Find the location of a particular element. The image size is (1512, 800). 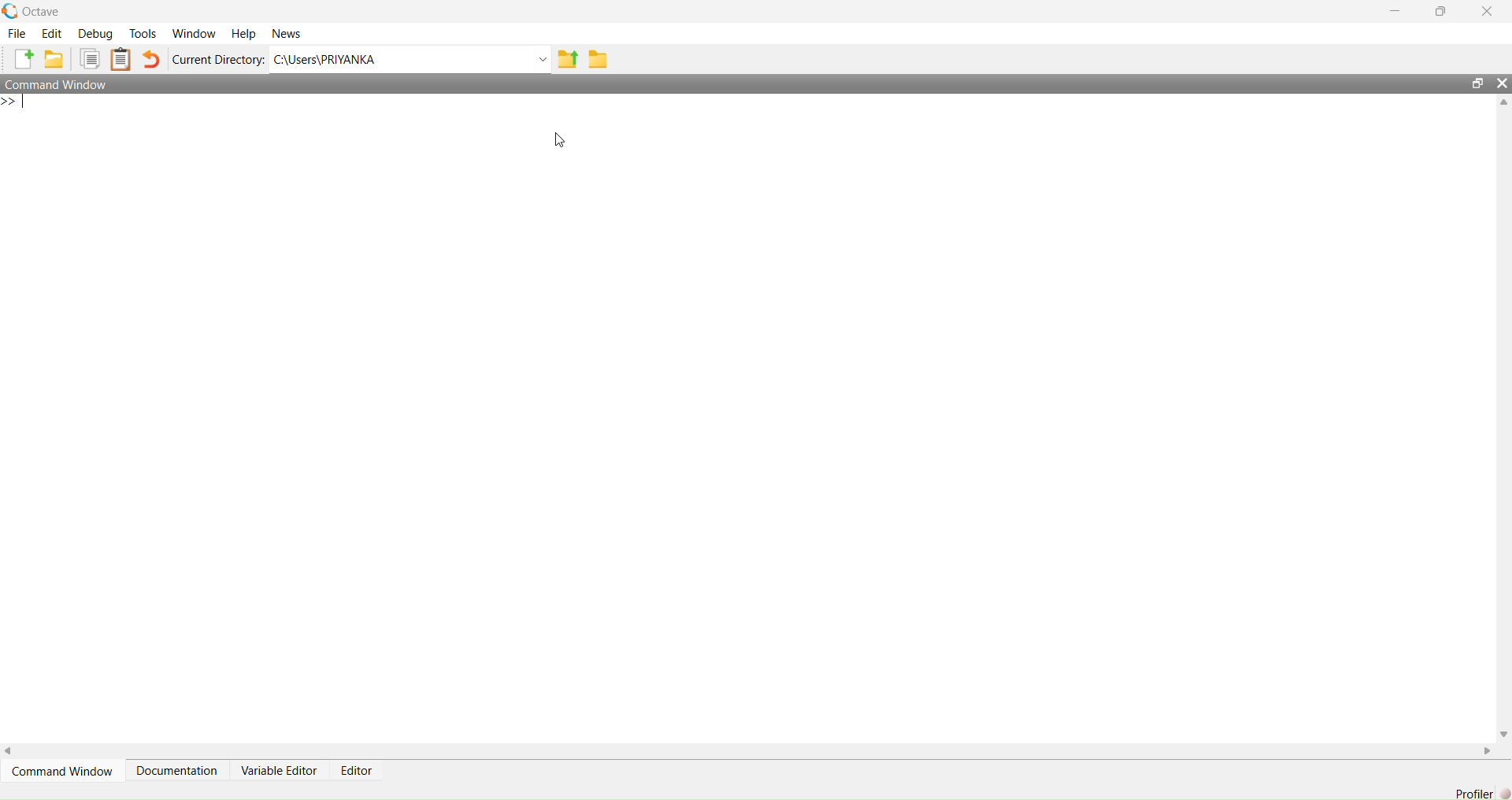

File is located at coordinates (17, 33).